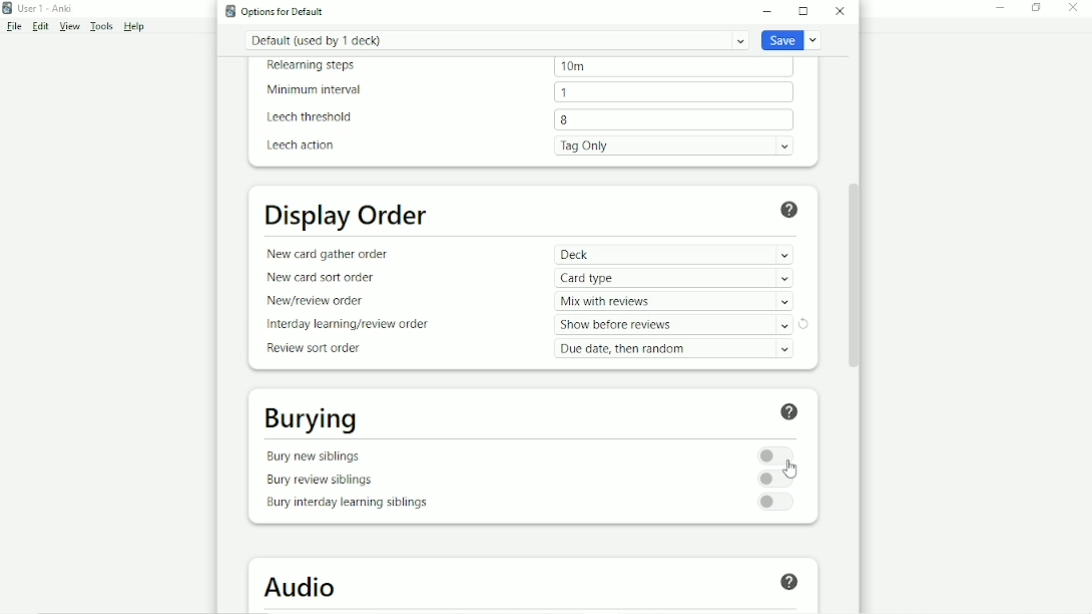 This screenshot has width=1092, height=614. I want to click on cursor, so click(792, 469).